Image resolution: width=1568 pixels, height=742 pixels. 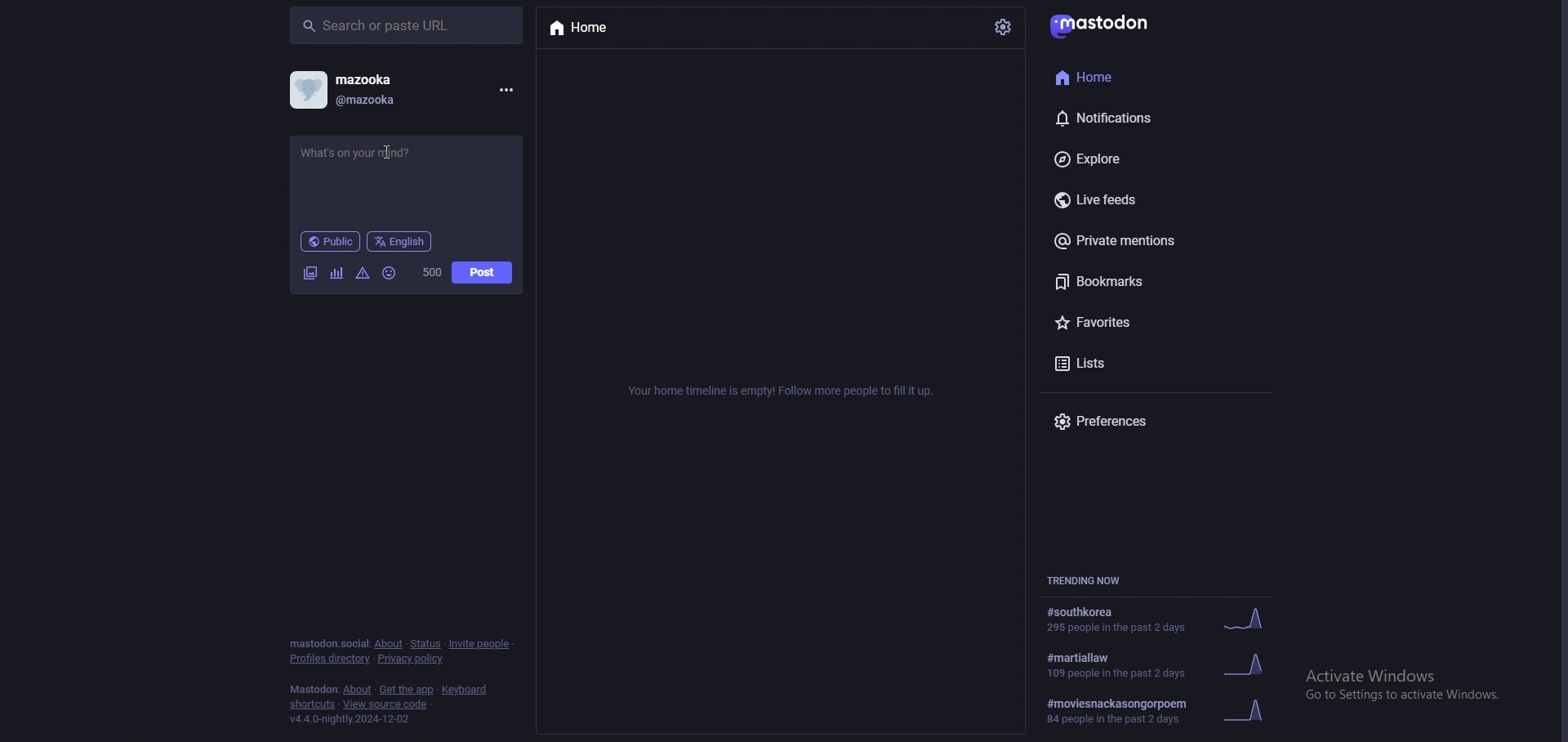 What do you see at coordinates (1004, 27) in the screenshot?
I see `settings` at bounding box center [1004, 27].